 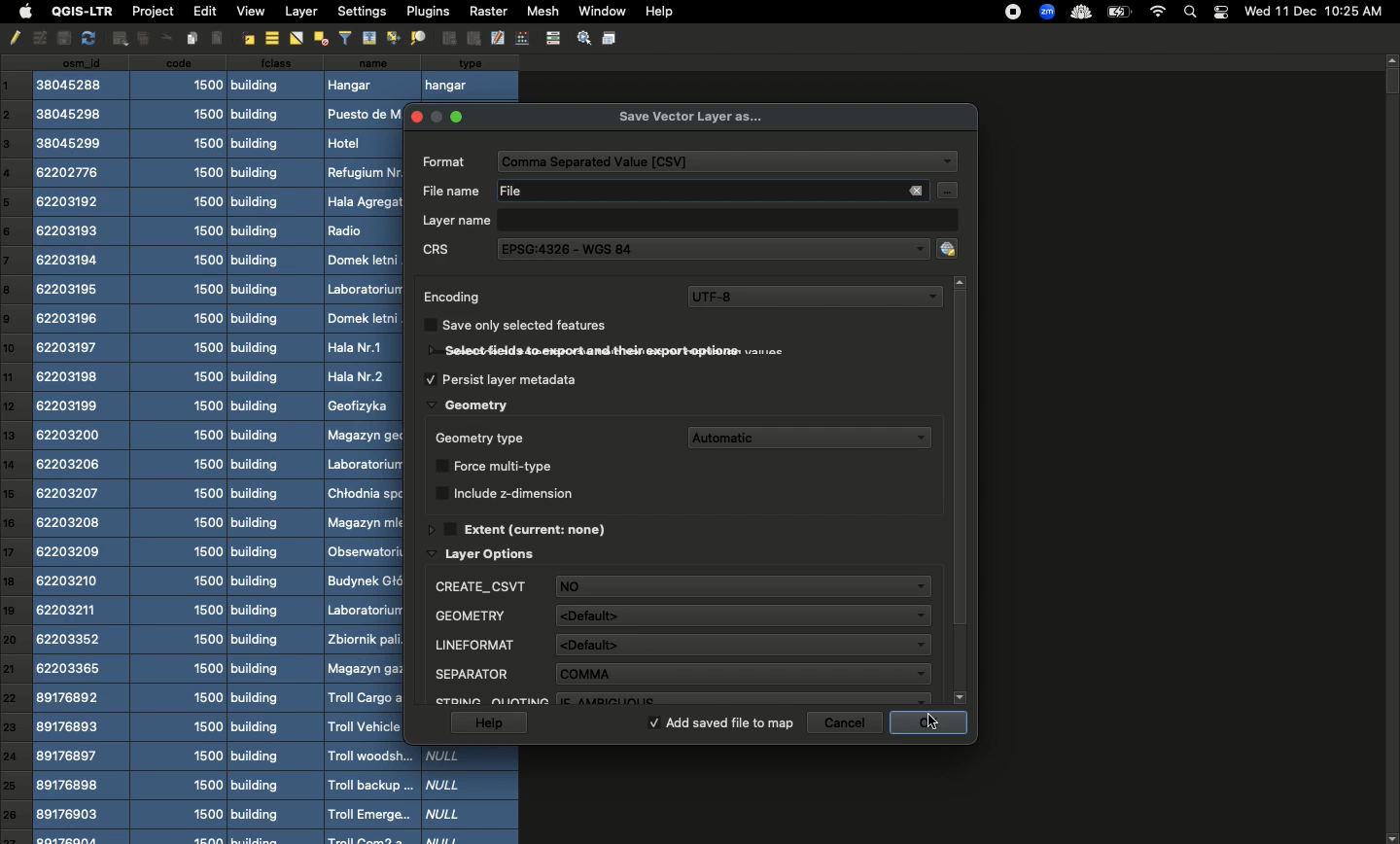 What do you see at coordinates (693, 117) in the screenshot?
I see `Save vector layer as` at bounding box center [693, 117].